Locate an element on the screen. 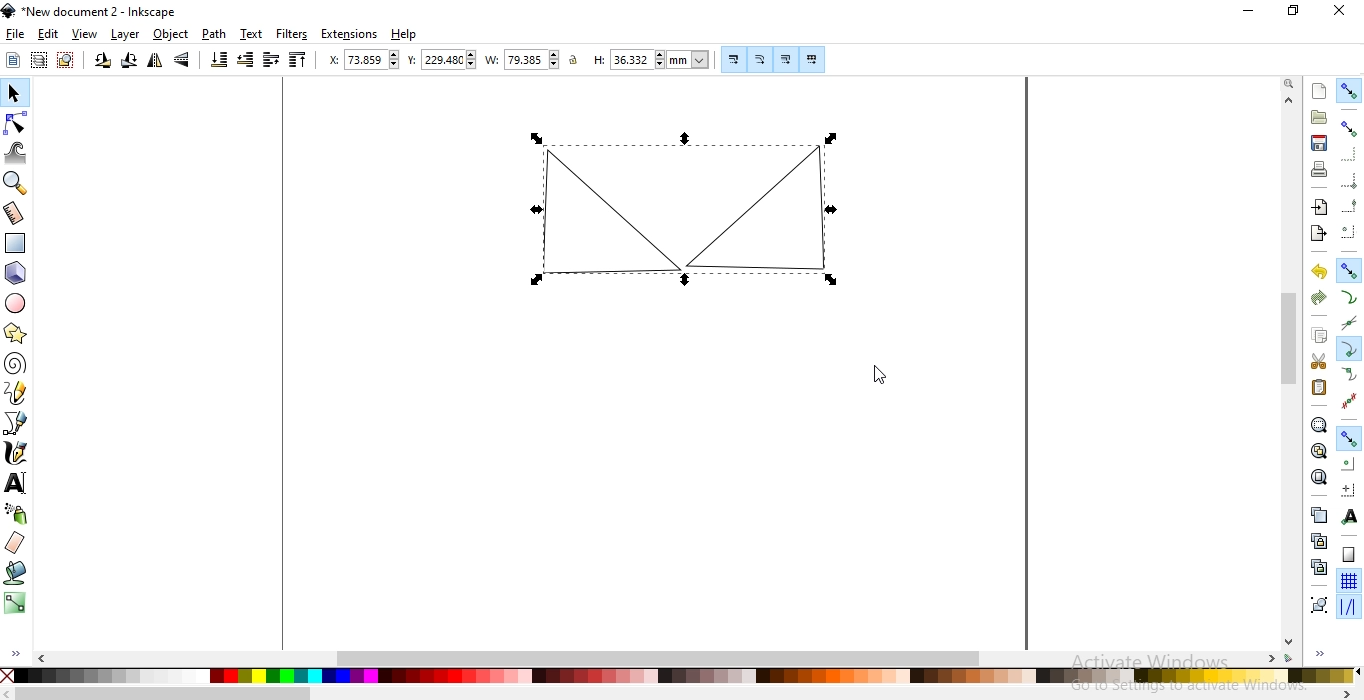  expand/hide sidebar is located at coordinates (13, 658).